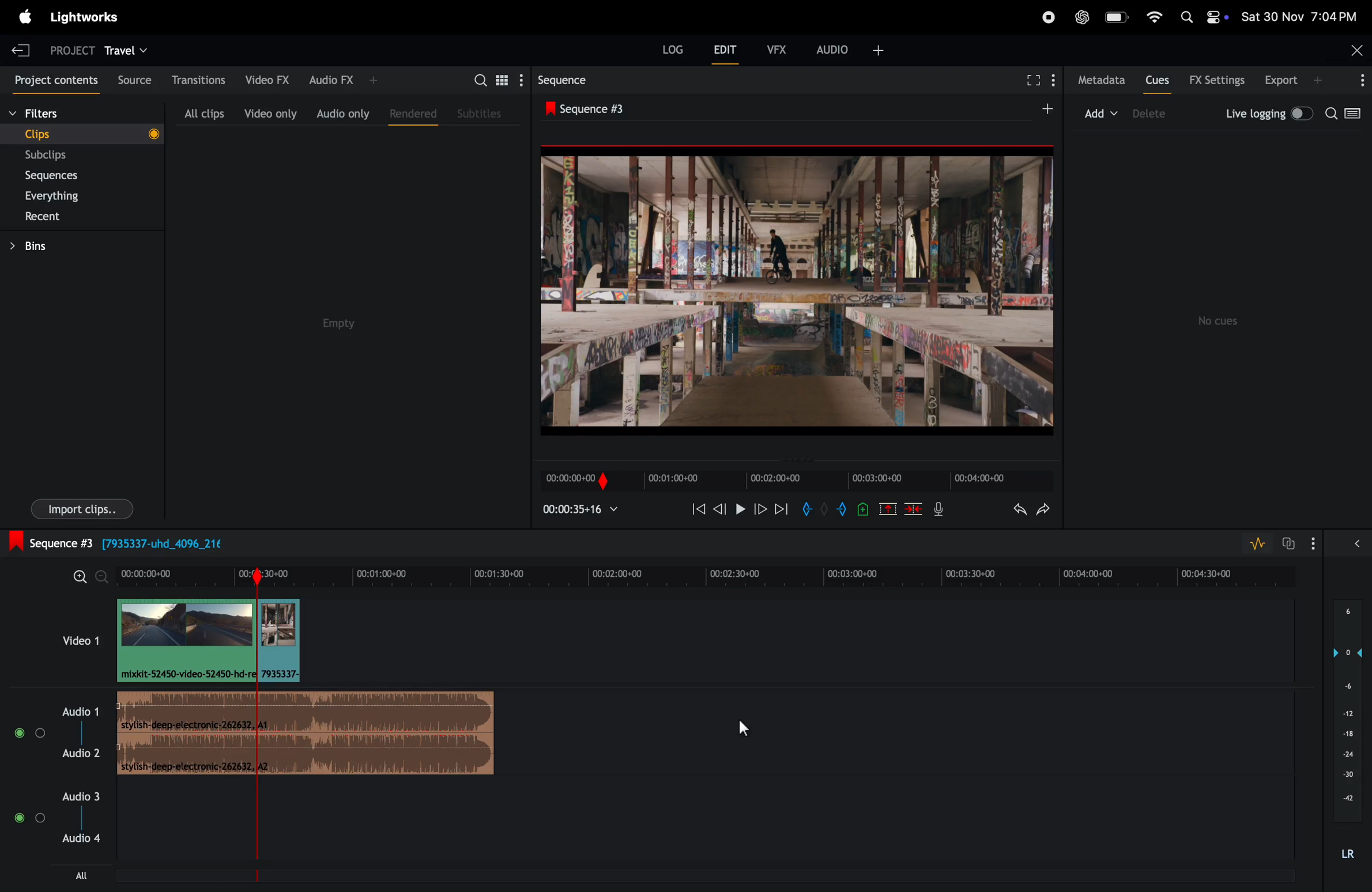 The height and width of the screenshot is (892, 1372). What do you see at coordinates (207, 640) in the screenshot?
I see `audio clips` at bounding box center [207, 640].